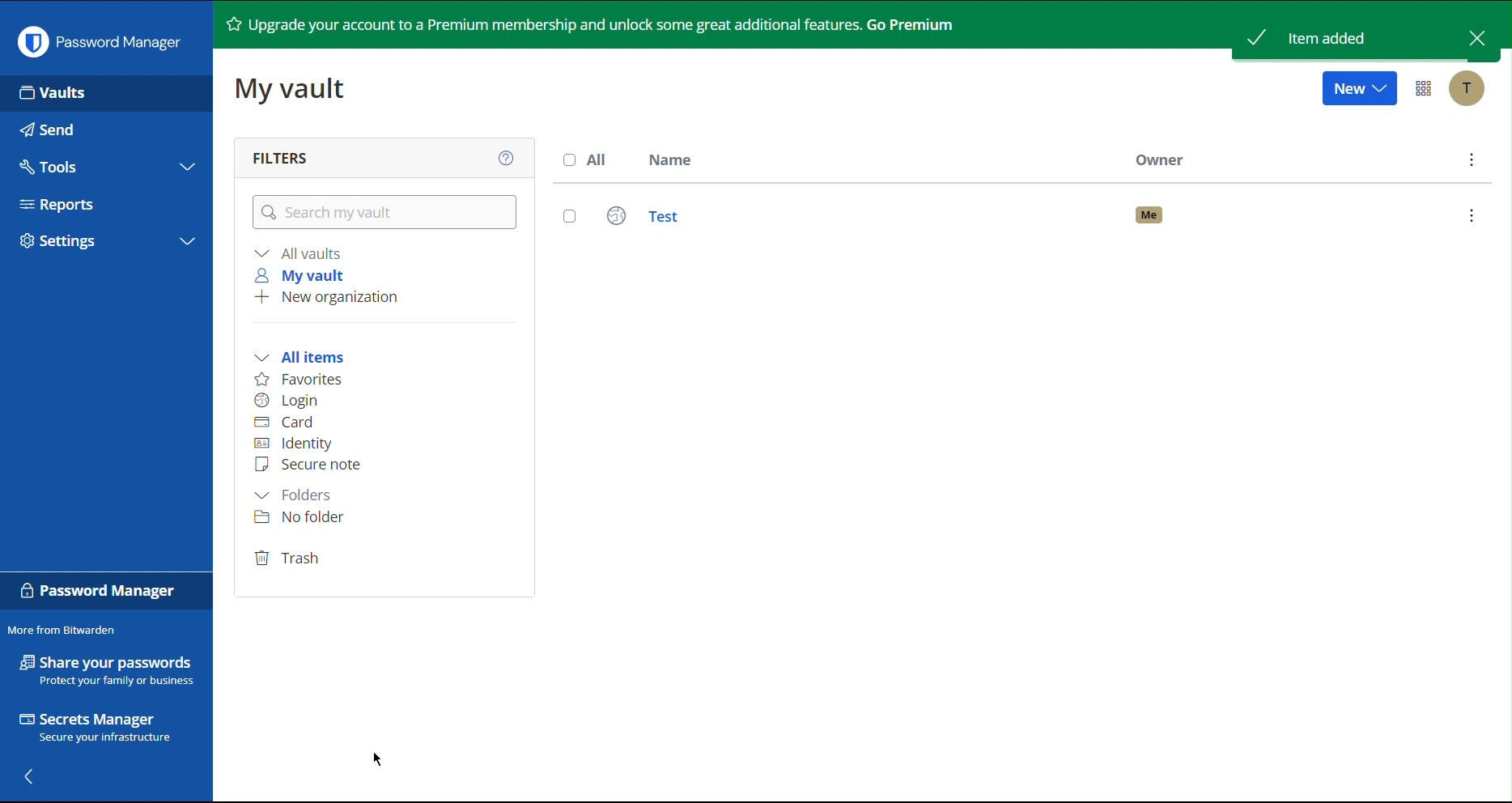 Image resolution: width=1512 pixels, height=803 pixels. What do you see at coordinates (290, 559) in the screenshot?
I see `Trash` at bounding box center [290, 559].